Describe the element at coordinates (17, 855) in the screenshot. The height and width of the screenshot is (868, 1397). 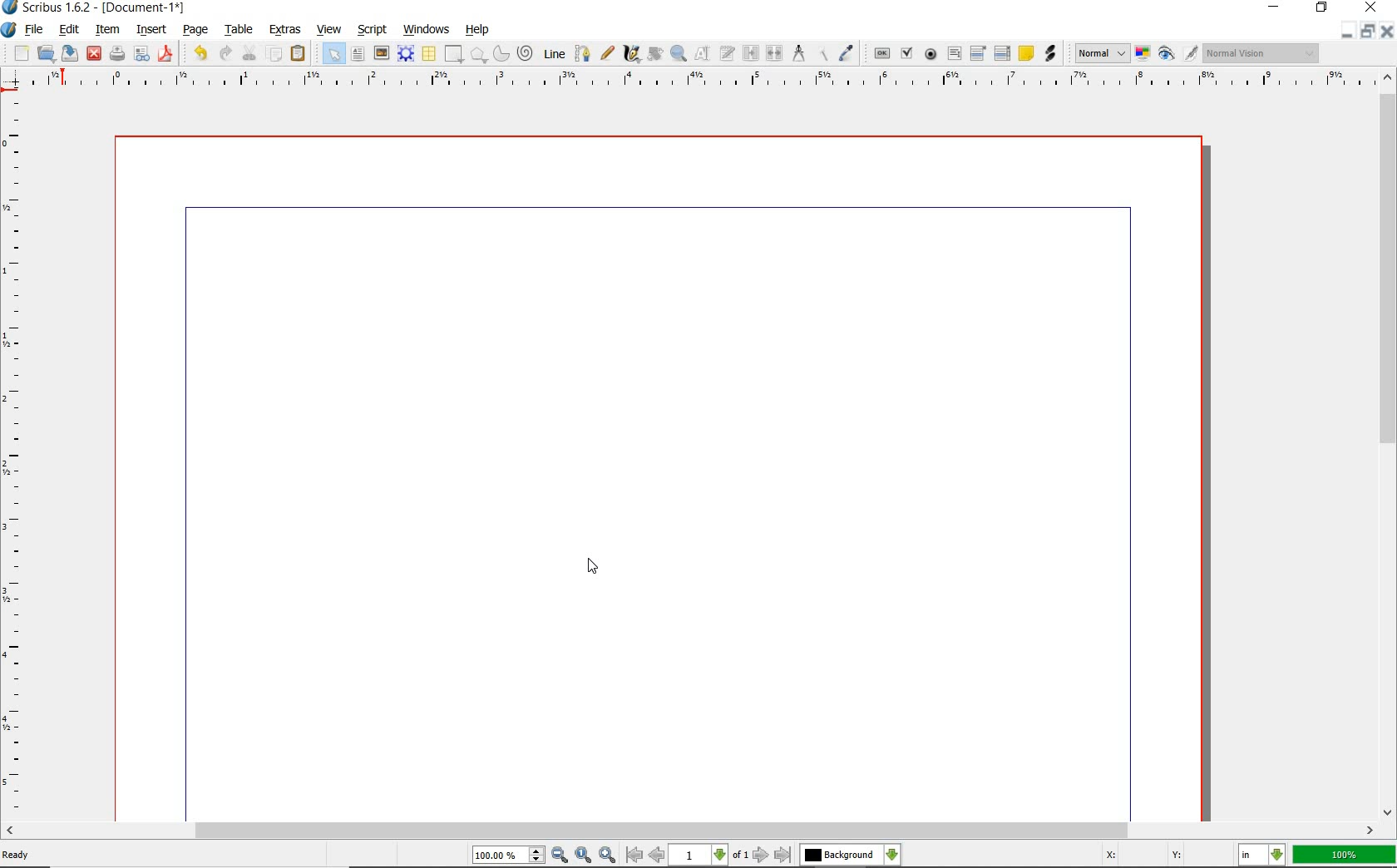
I see `ready` at that location.